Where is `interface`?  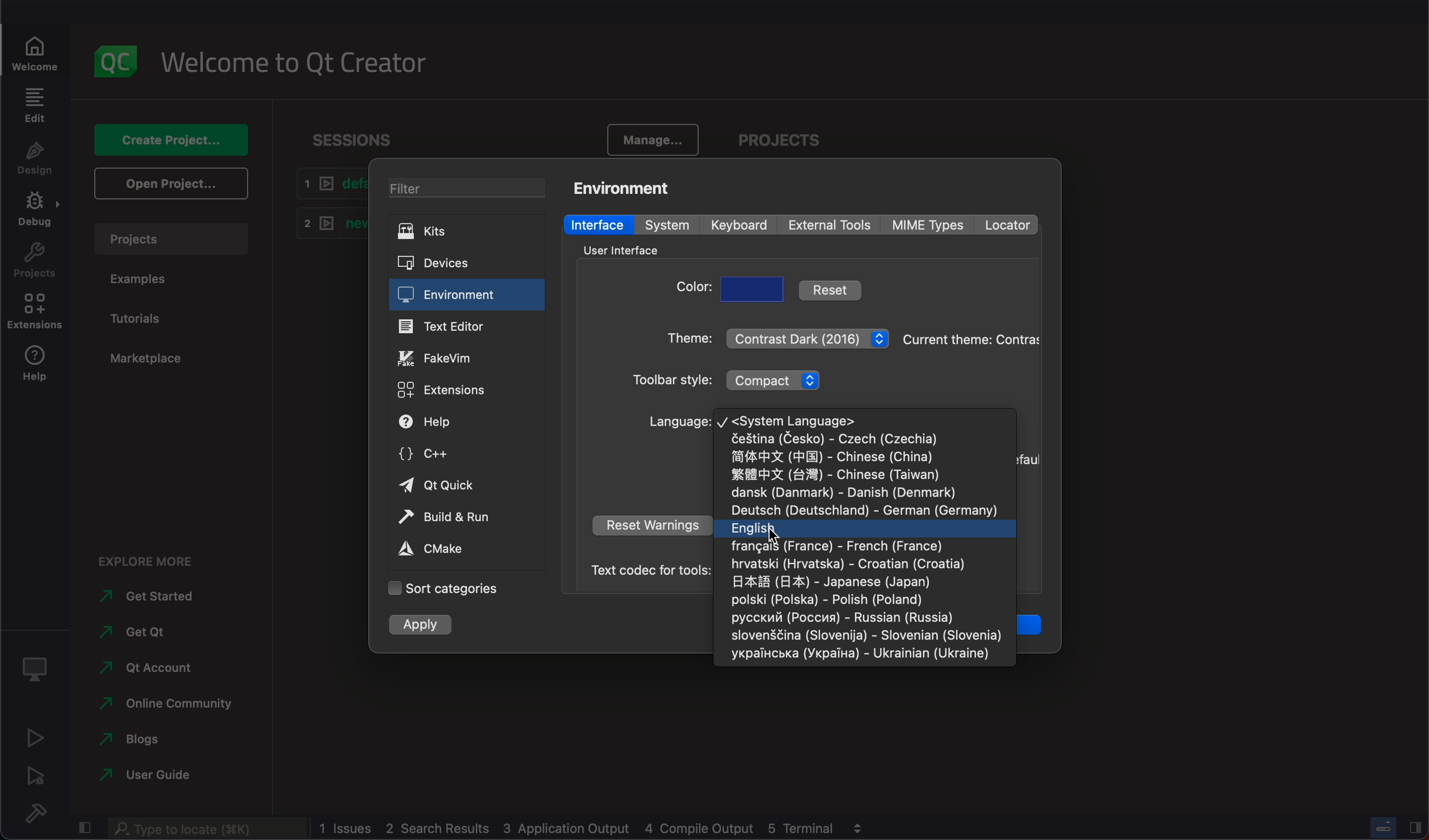
interface is located at coordinates (598, 224).